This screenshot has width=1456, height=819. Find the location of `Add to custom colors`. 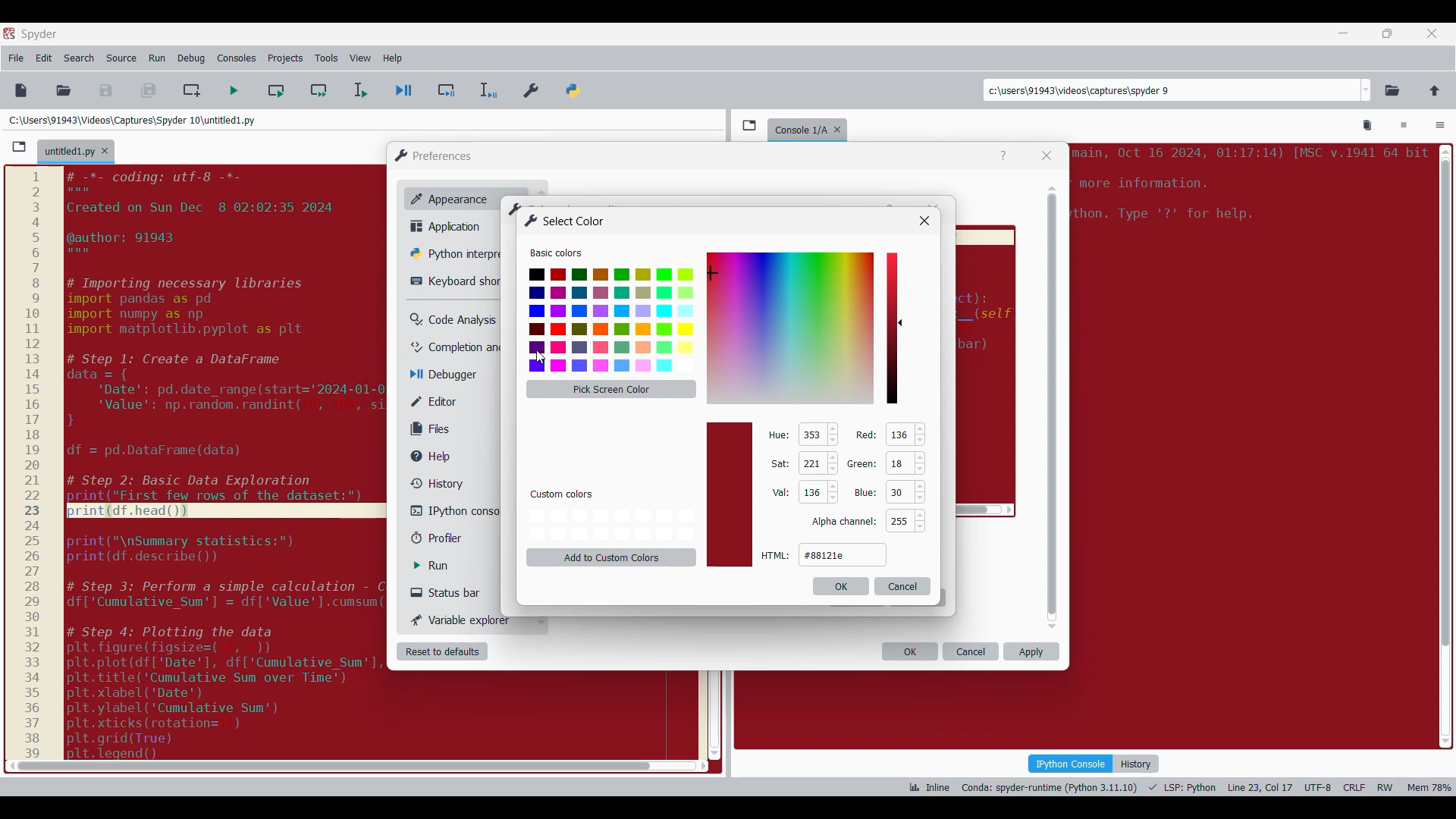

Add to custom colors is located at coordinates (612, 557).